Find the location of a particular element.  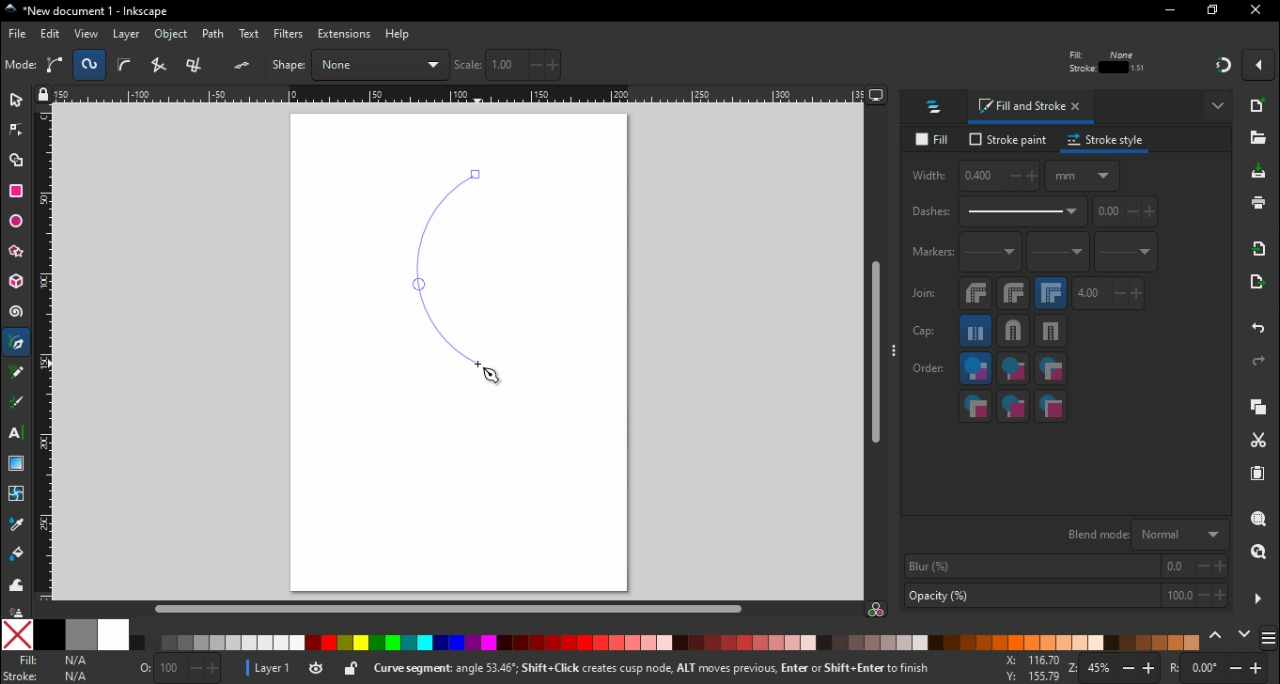

more options is located at coordinates (1259, 598).